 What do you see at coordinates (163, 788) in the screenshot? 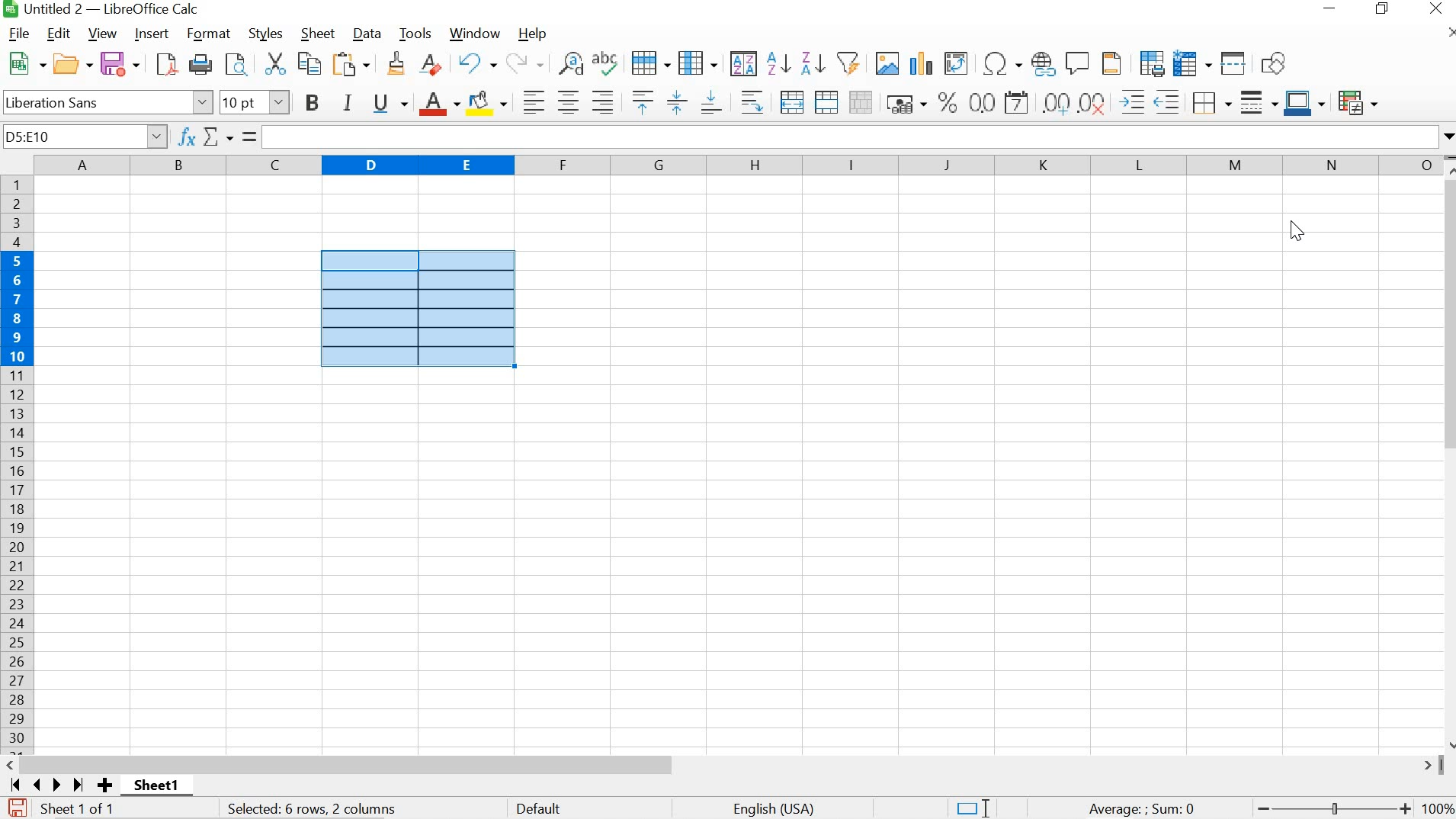
I see `sheet 1 of 1` at bounding box center [163, 788].